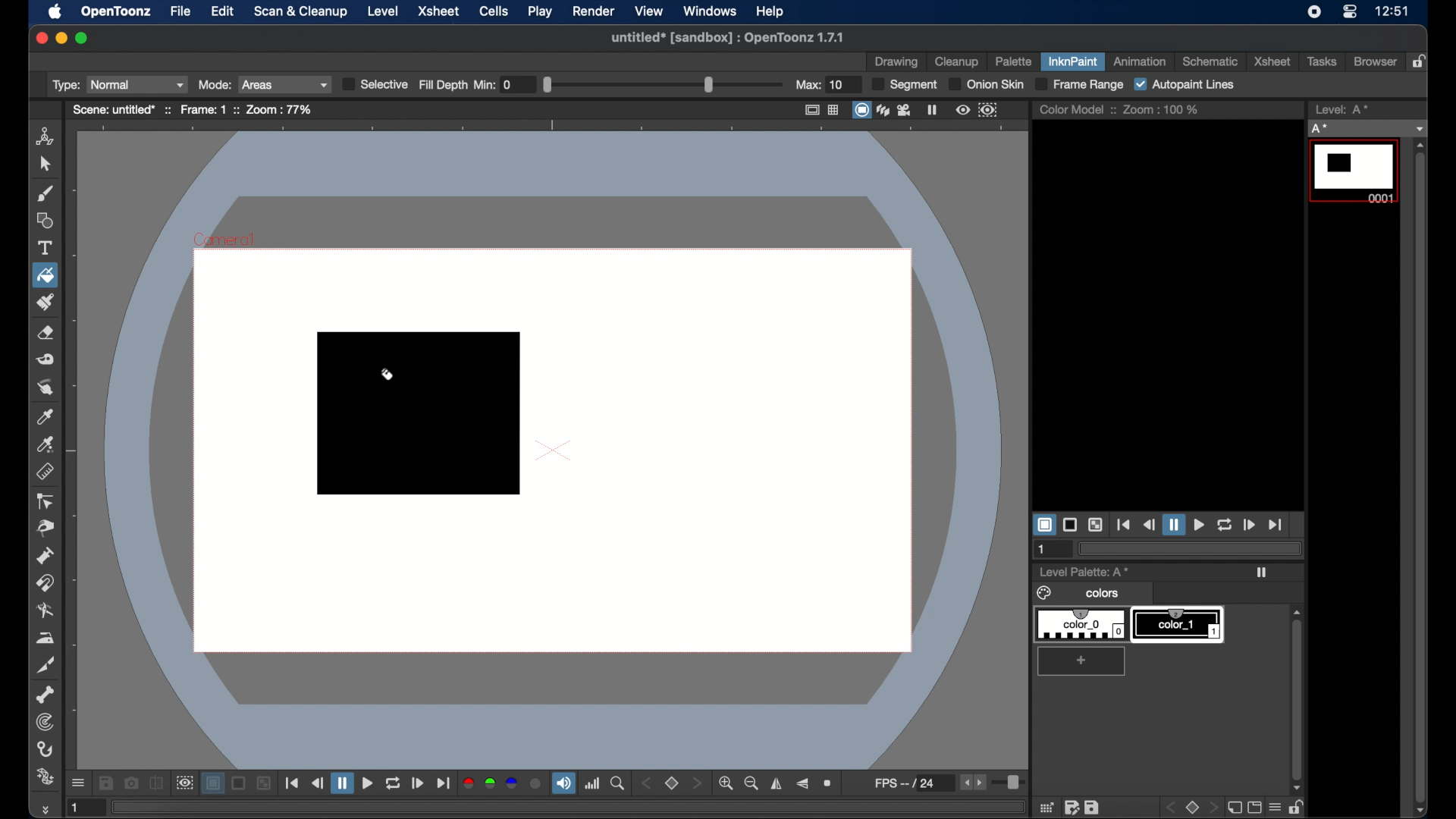  Describe the element at coordinates (1254, 807) in the screenshot. I see `screen` at that location.